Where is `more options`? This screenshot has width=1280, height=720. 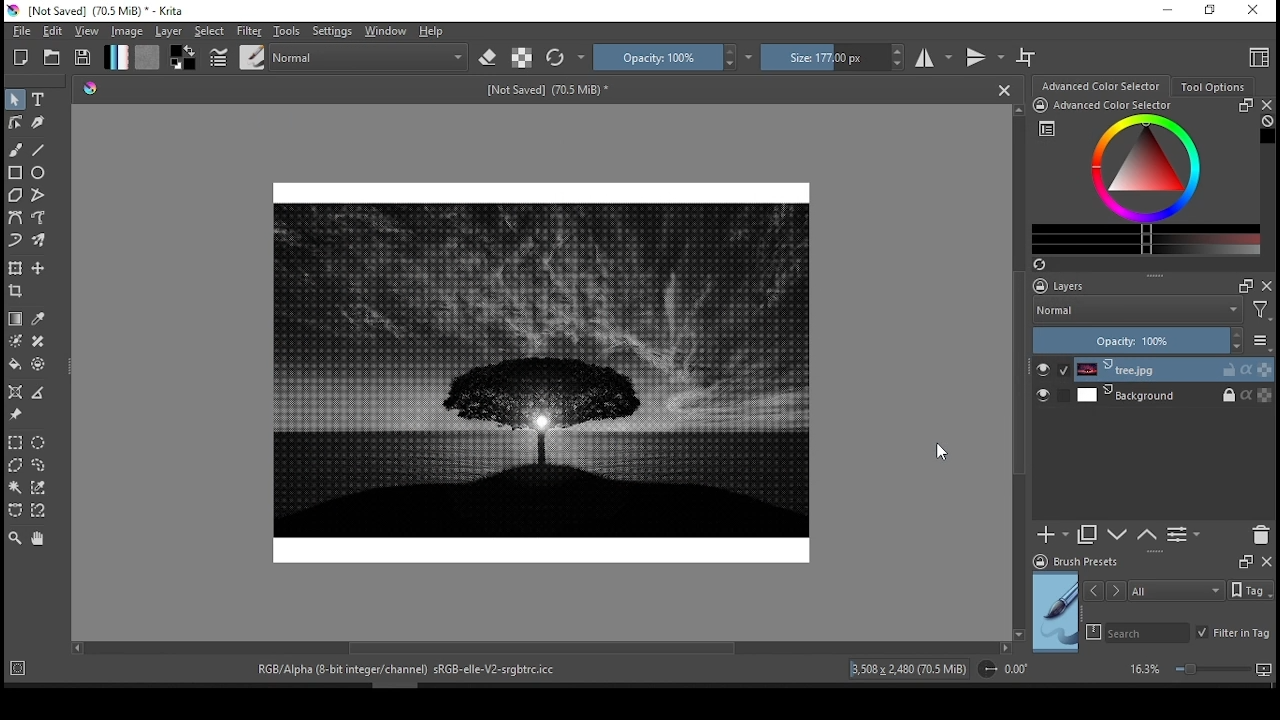
more options is located at coordinates (1262, 341).